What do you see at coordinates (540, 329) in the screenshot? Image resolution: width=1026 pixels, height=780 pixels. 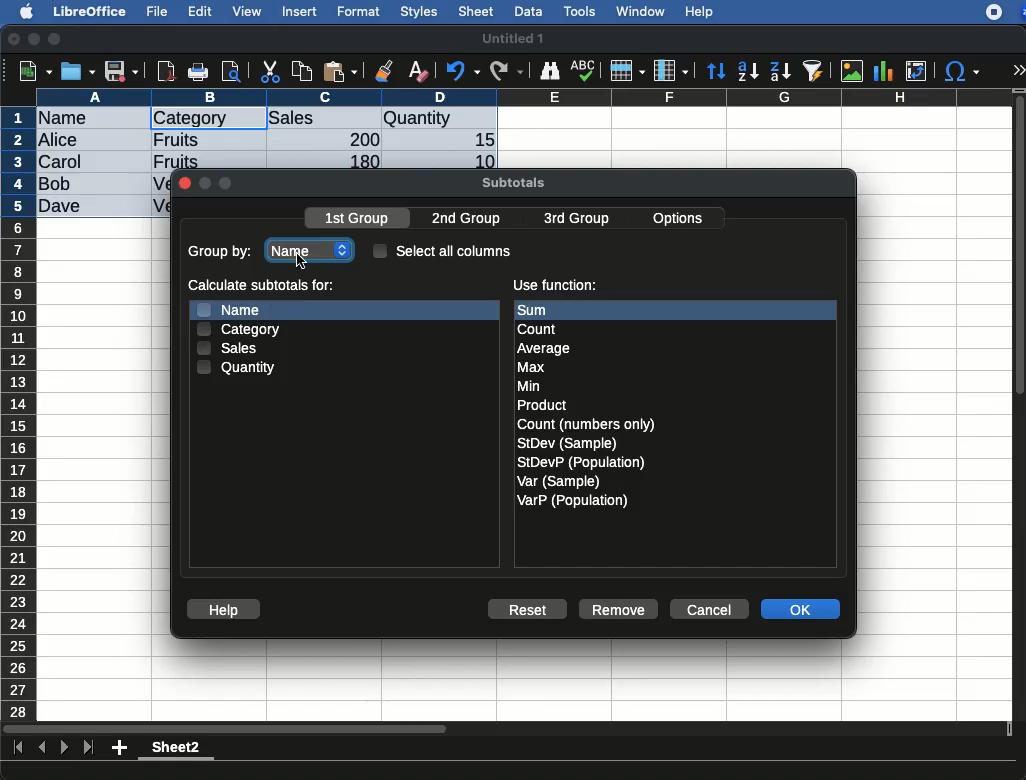 I see `Count` at bounding box center [540, 329].